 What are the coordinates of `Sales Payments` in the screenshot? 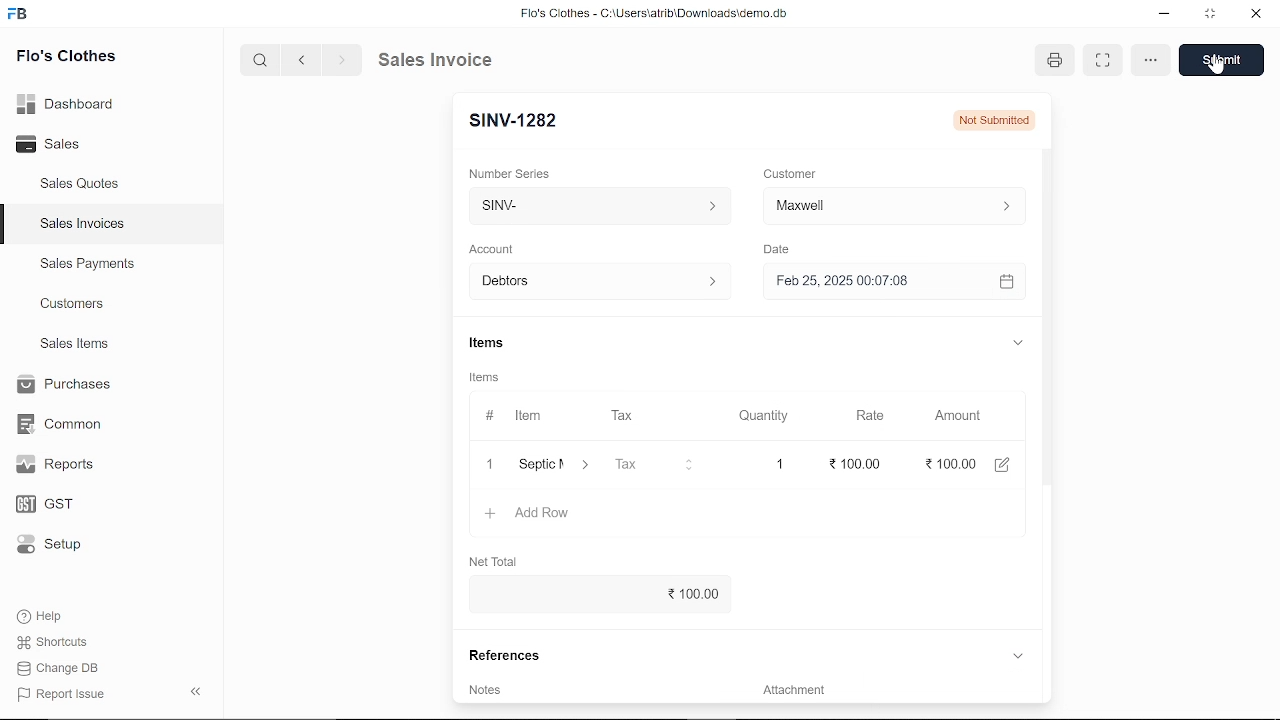 It's located at (87, 264).